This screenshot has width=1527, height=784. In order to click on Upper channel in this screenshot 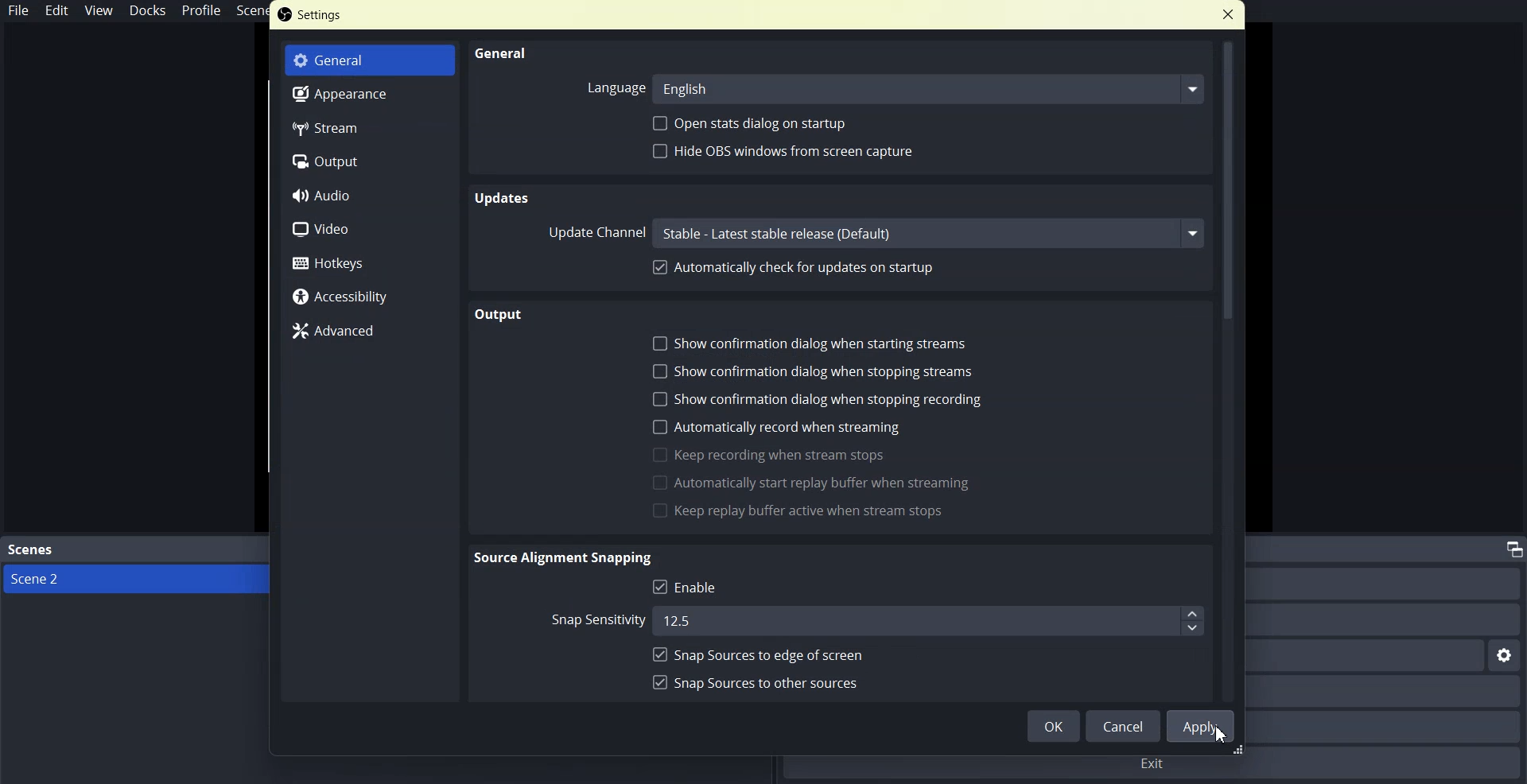, I will do `click(597, 232)`.